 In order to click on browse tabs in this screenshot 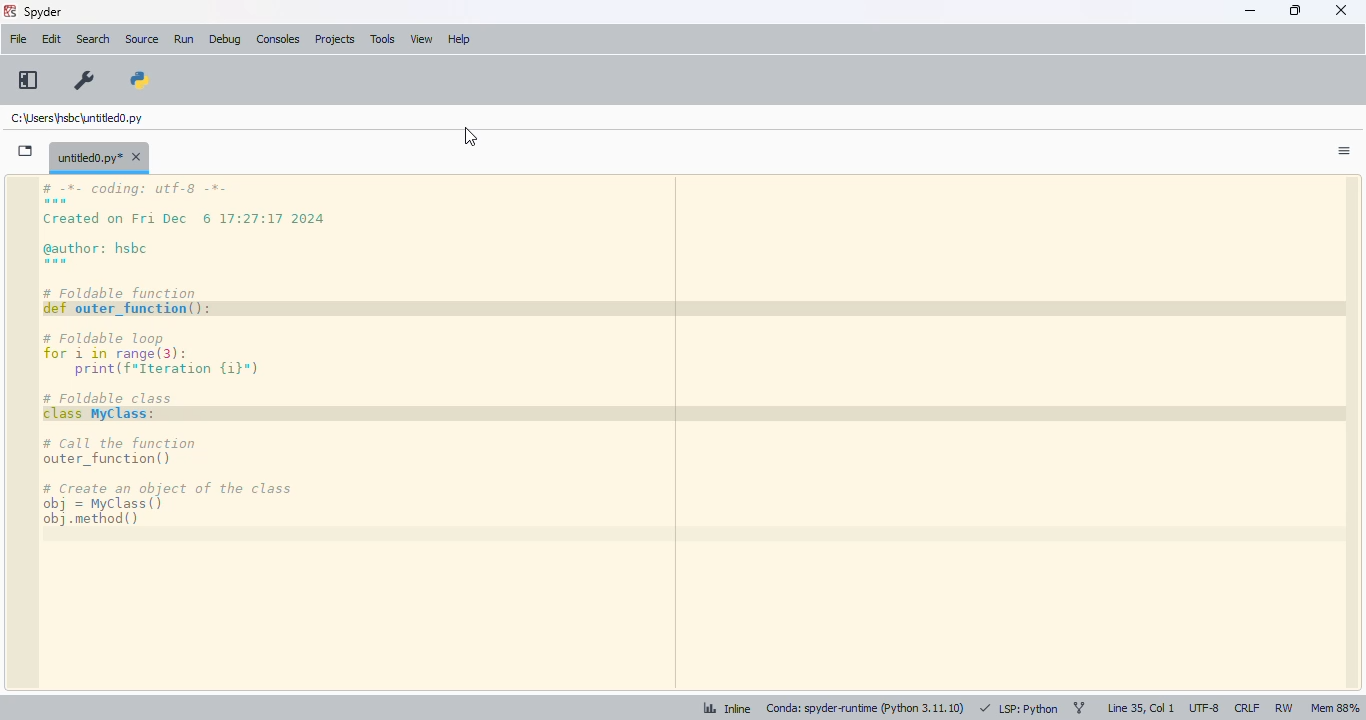, I will do `click(27, 151)`.